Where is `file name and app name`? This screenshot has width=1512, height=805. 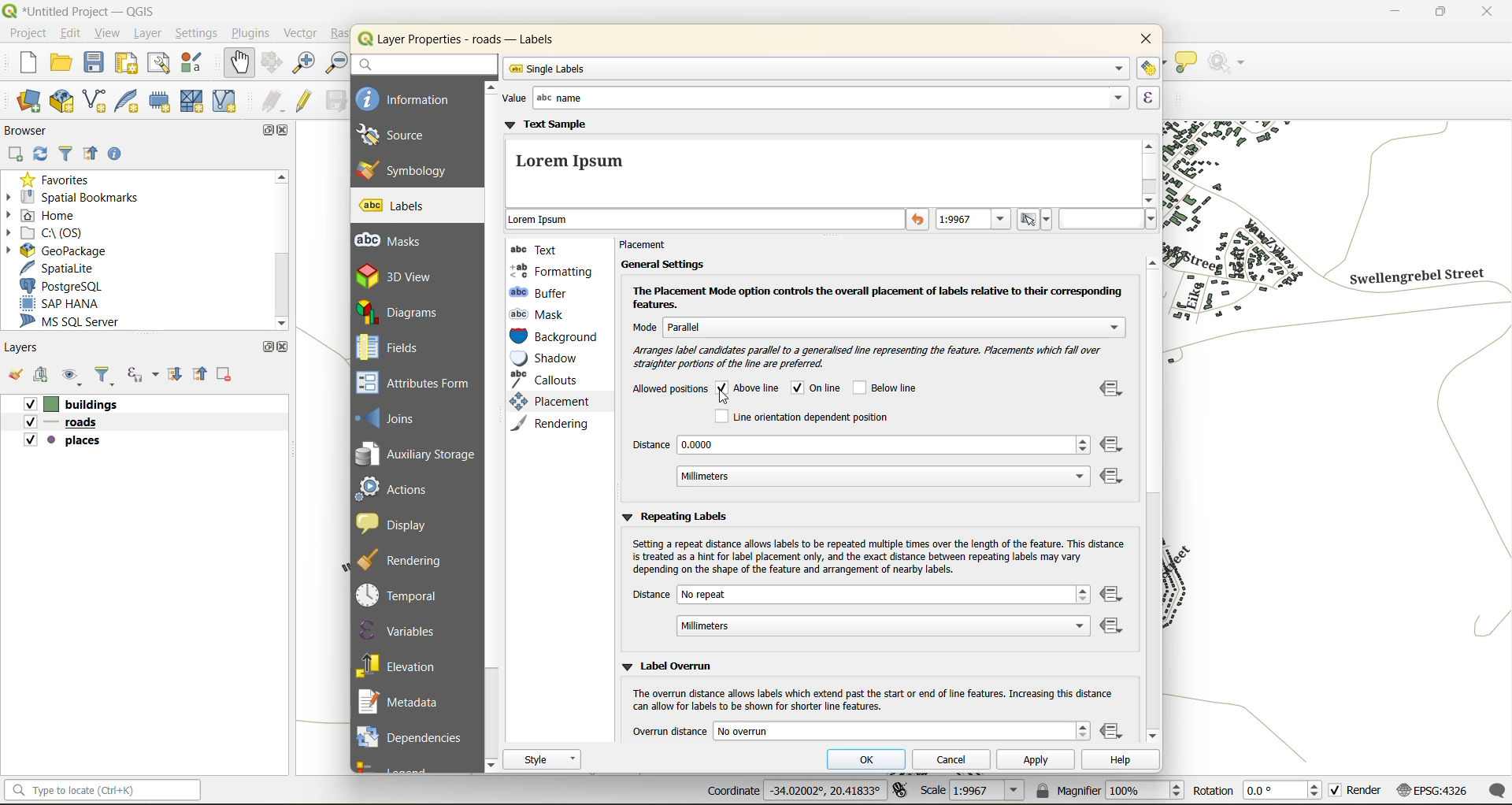
file name and app name is located at coordinates (80, 10).